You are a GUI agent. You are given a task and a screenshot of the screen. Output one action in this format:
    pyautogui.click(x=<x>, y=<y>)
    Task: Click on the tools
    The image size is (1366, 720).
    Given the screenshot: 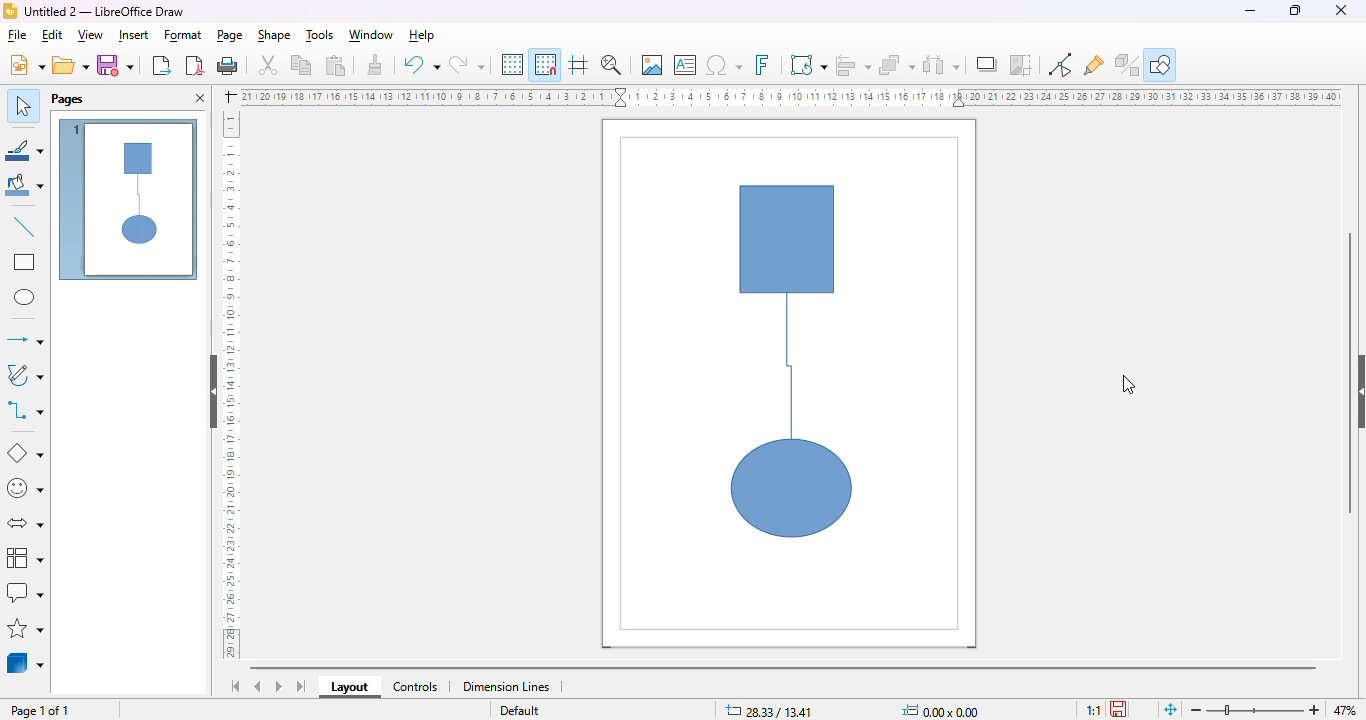 What is the action you would take?
    pyautogui.click(x=321, y=35)
    